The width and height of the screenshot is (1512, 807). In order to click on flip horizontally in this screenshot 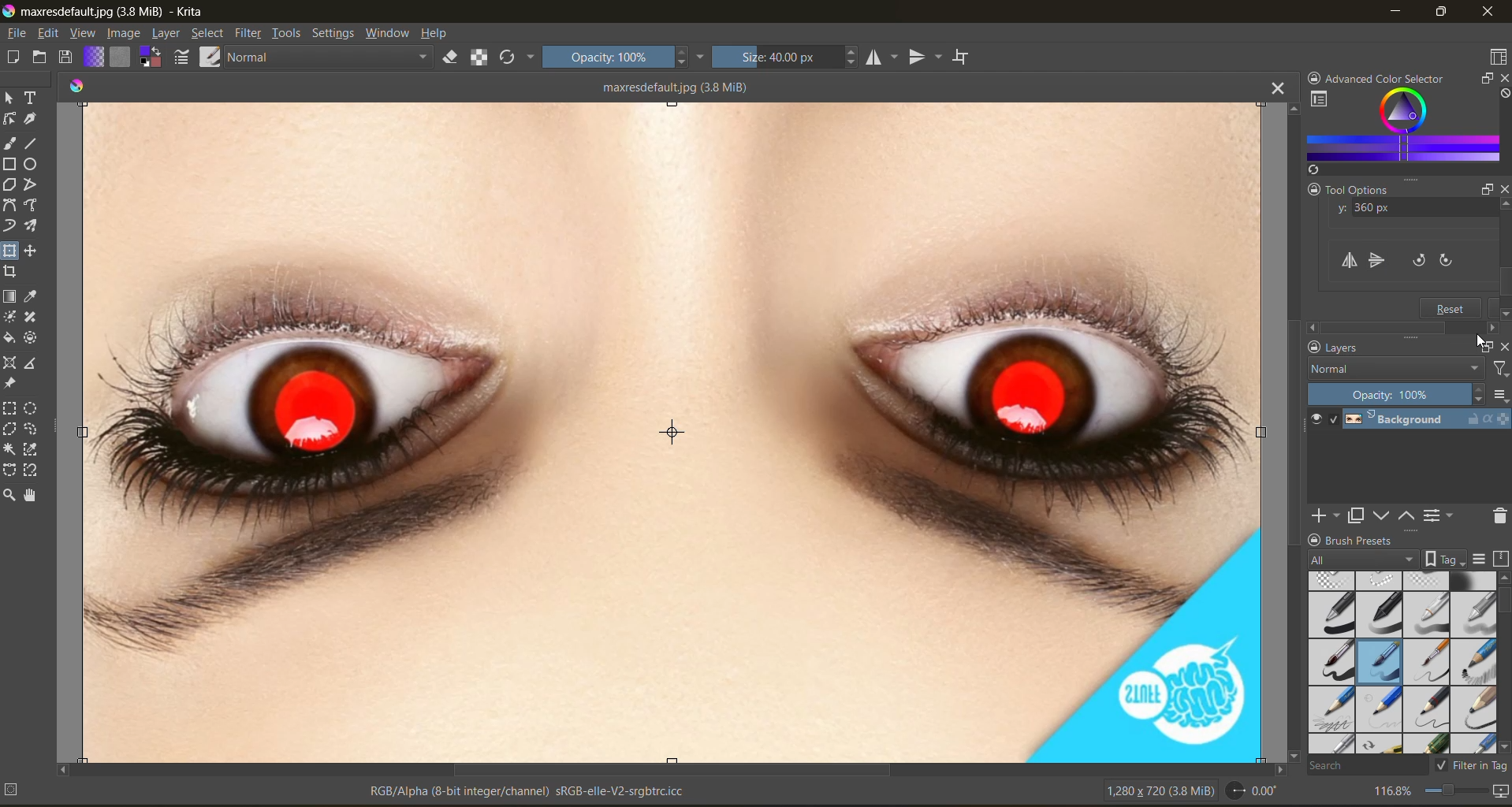, I will do `click(1349, 261)`.